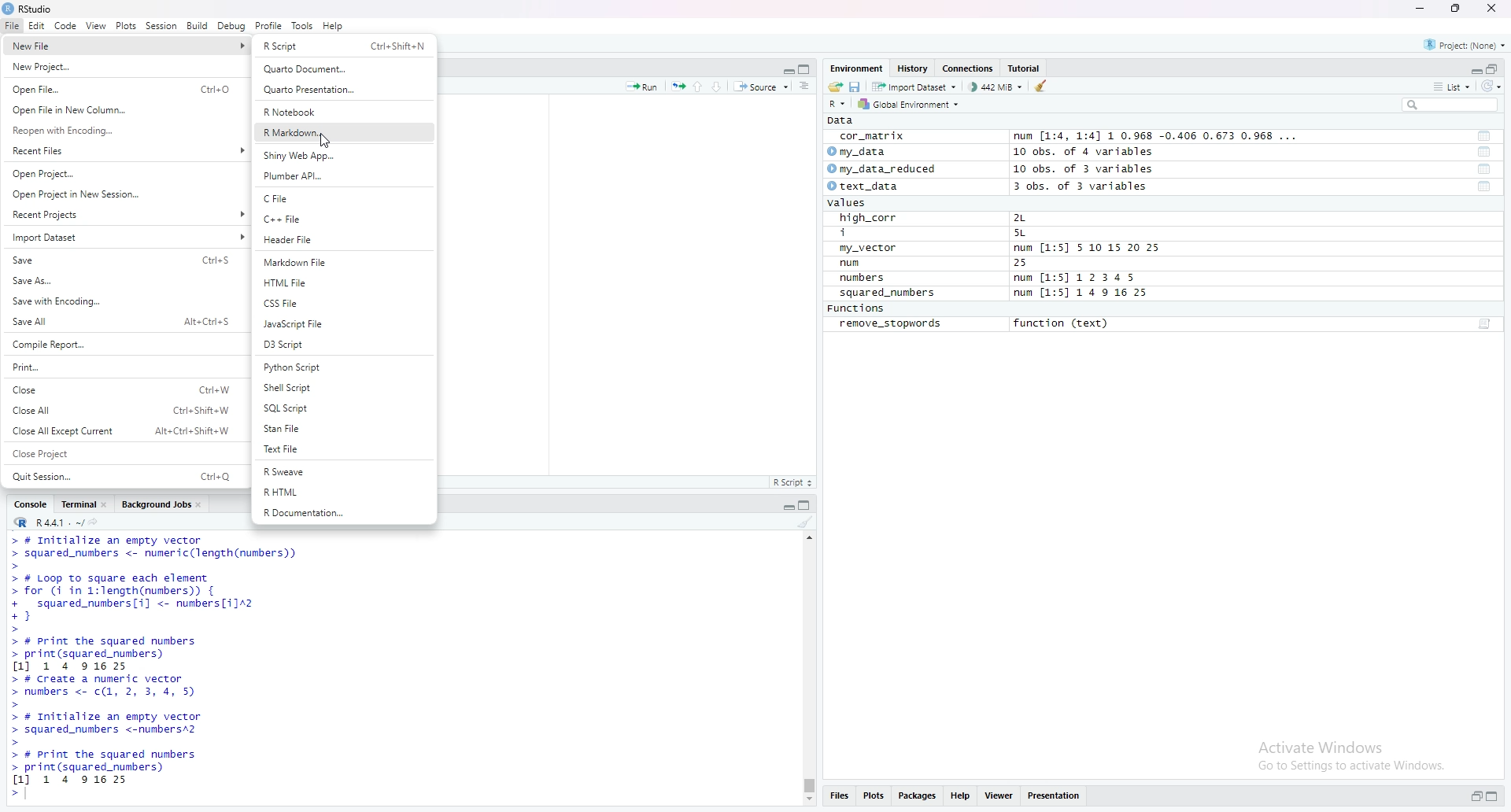 This screenshot has width=1511, height=812. What do you see at coordinates (833, 87) in the screenshot?
I see `Load workspace` at bounding box center [833, 87].